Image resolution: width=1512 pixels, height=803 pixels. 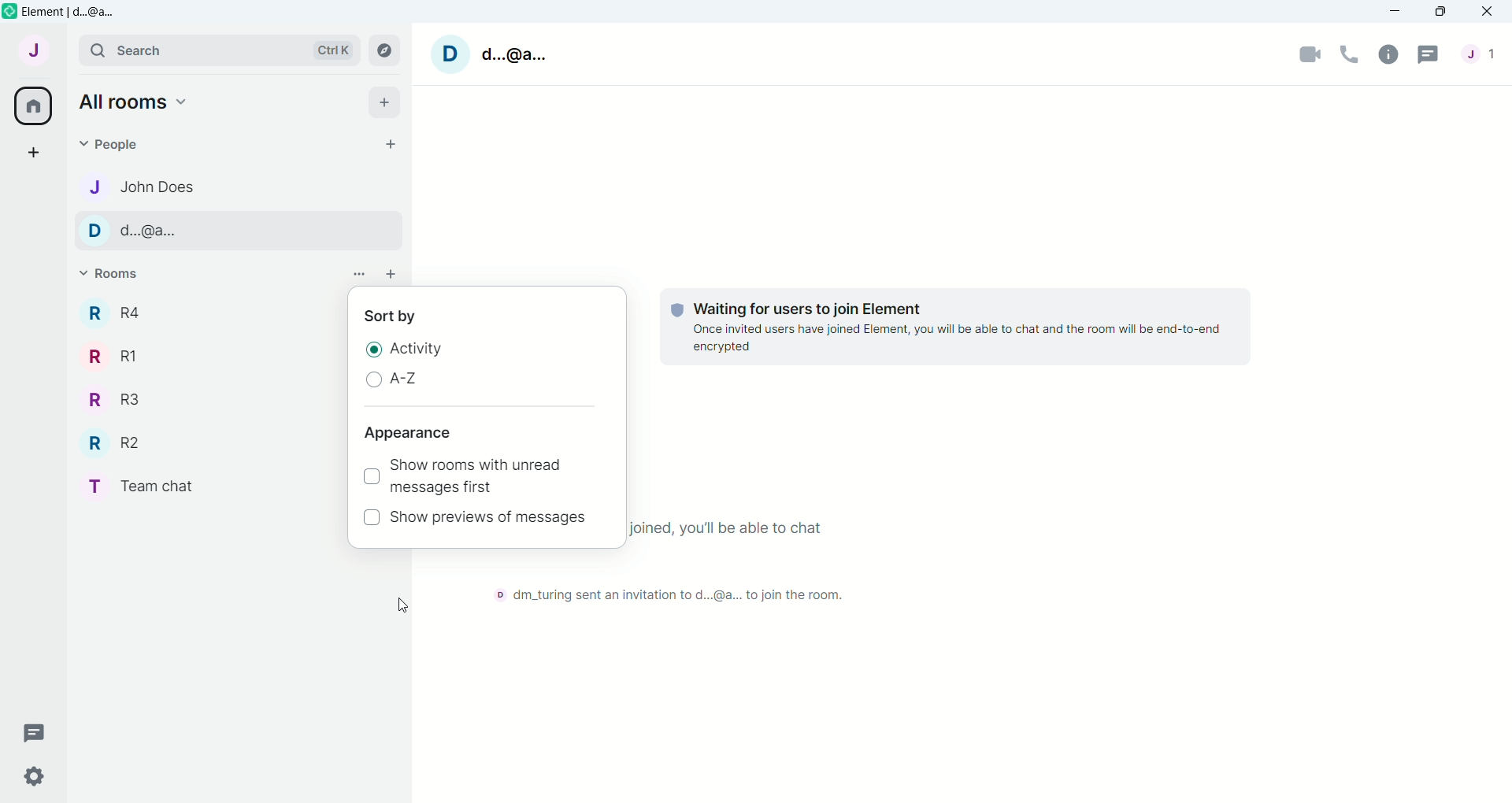 I want to click on People, so click(x=117, y=144).